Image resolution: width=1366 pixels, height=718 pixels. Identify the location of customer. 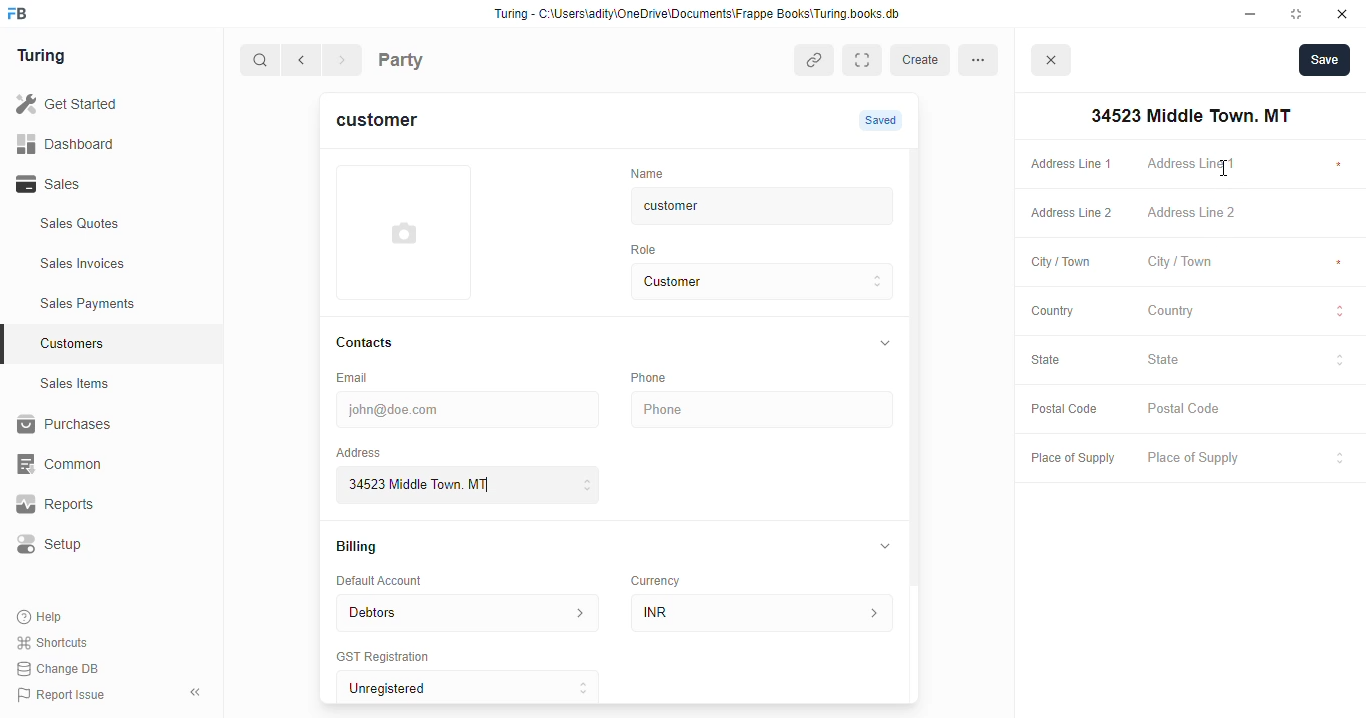
(389, 123).